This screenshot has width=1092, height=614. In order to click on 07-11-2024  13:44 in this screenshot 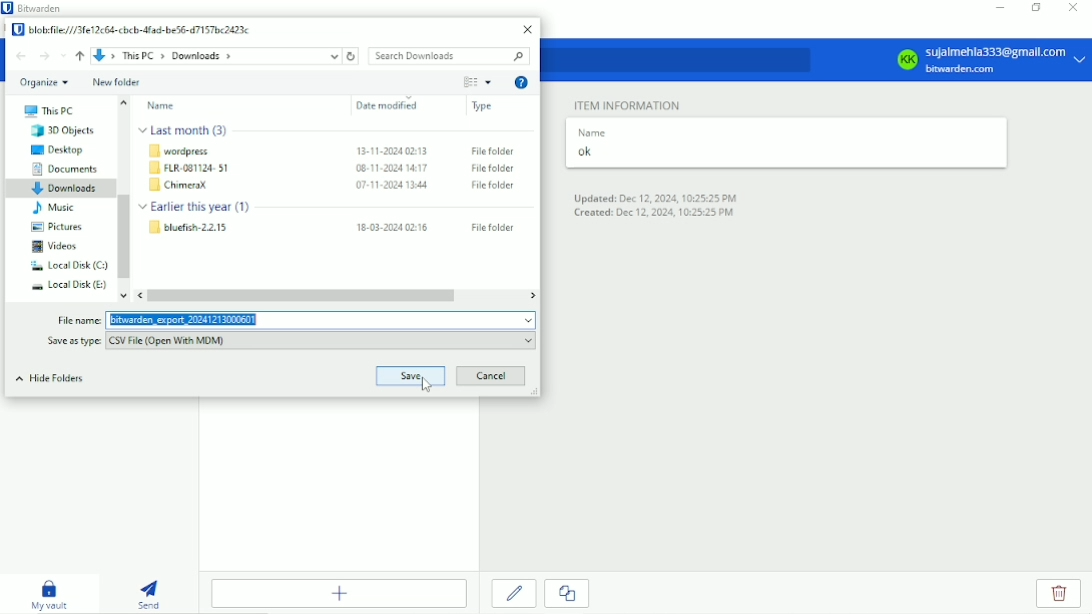, I will do `click(394, 186)`.